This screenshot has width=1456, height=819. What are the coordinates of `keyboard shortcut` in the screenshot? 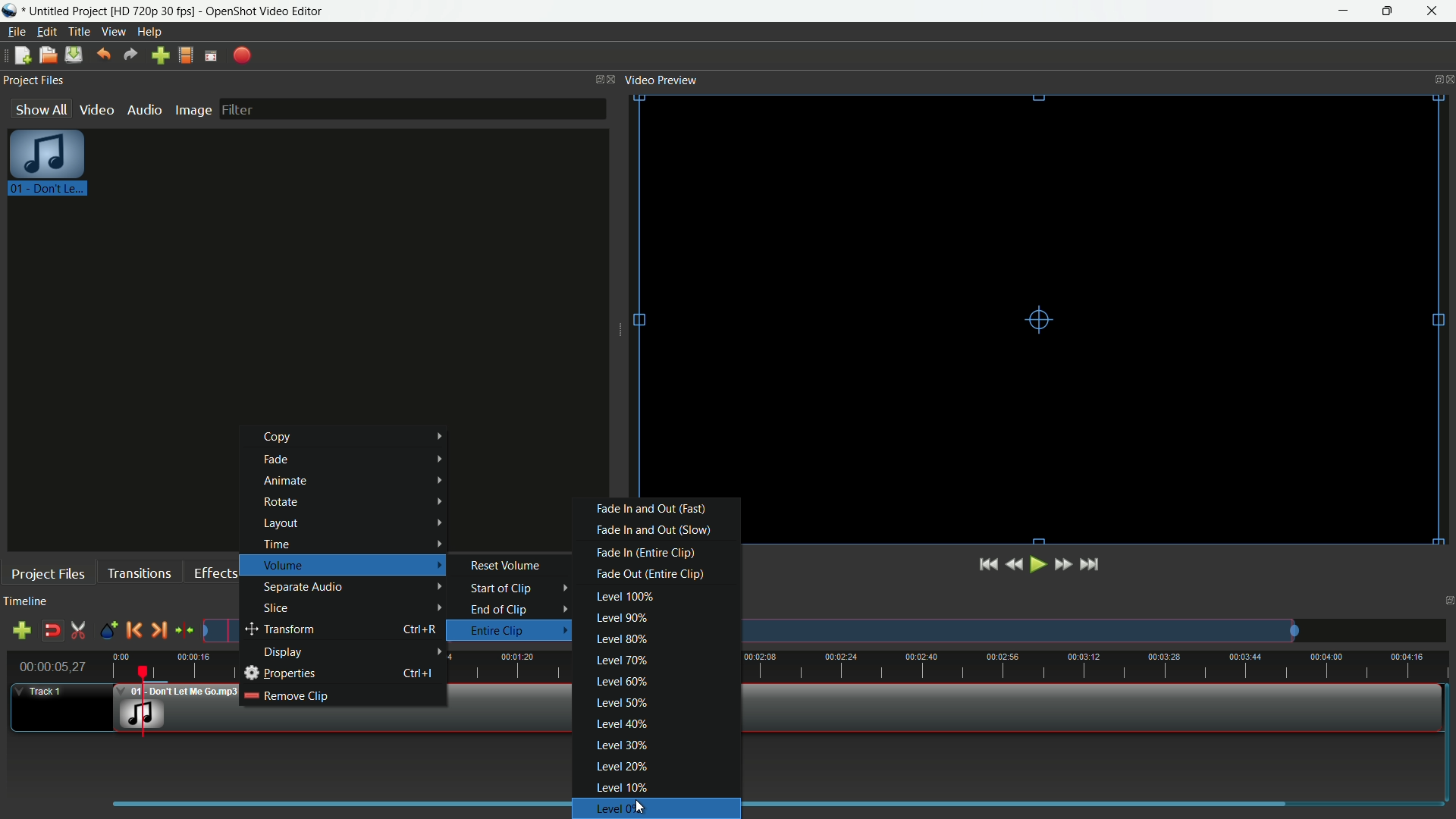 It's located at (419, 631).